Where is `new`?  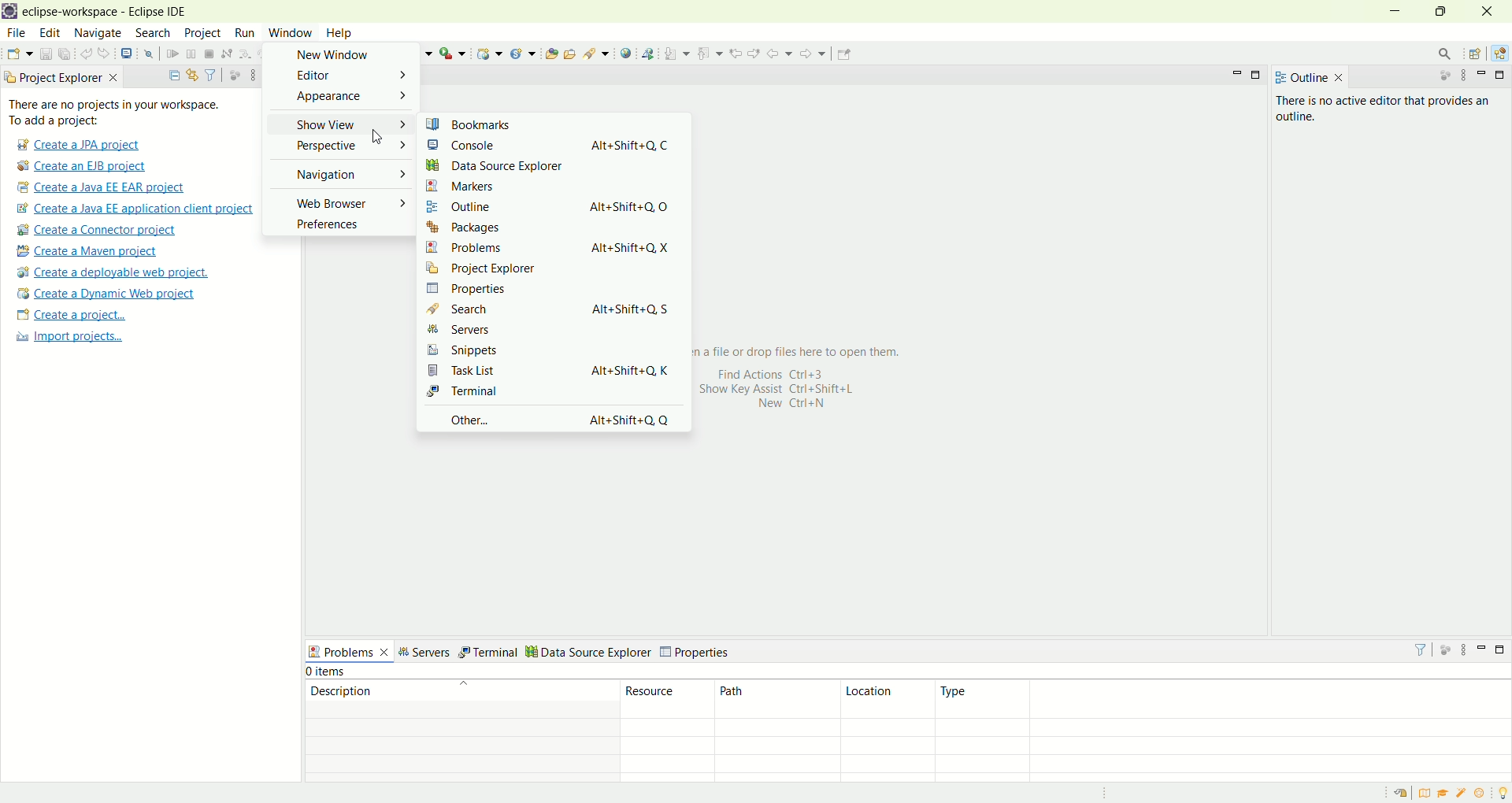 new is located at coordinates (18, 54).